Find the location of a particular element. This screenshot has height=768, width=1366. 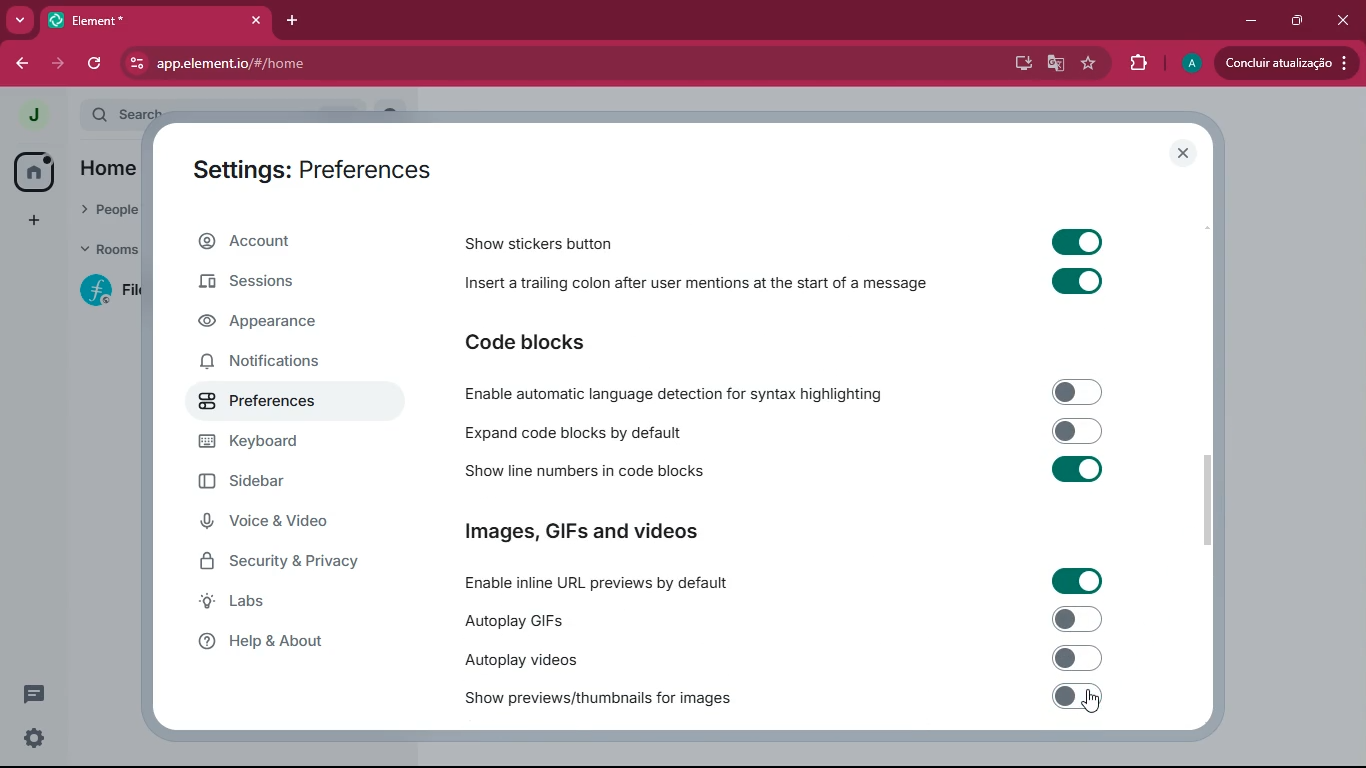

Close is located at coordinates (1344, 20).